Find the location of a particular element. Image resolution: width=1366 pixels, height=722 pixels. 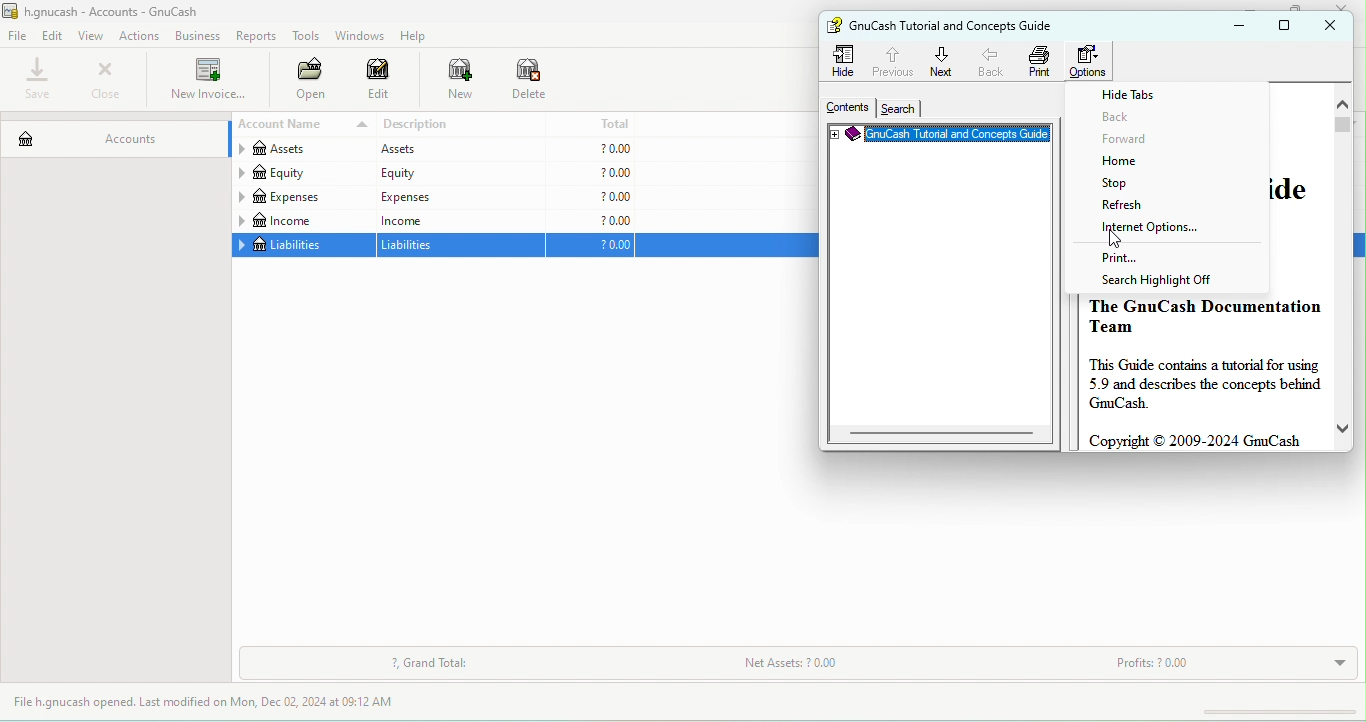

liabilities is located at coordinates (462, 246).